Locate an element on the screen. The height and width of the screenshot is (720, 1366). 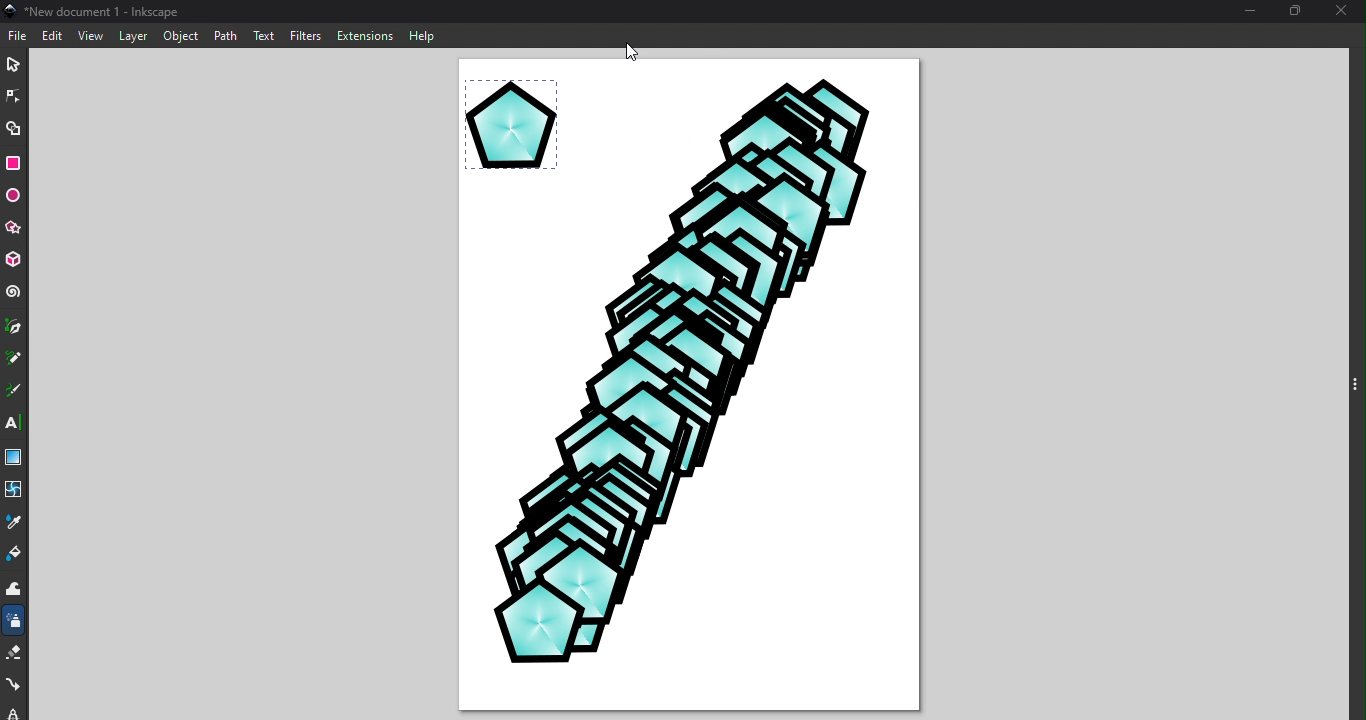
View is located at coordinates (88, 36).